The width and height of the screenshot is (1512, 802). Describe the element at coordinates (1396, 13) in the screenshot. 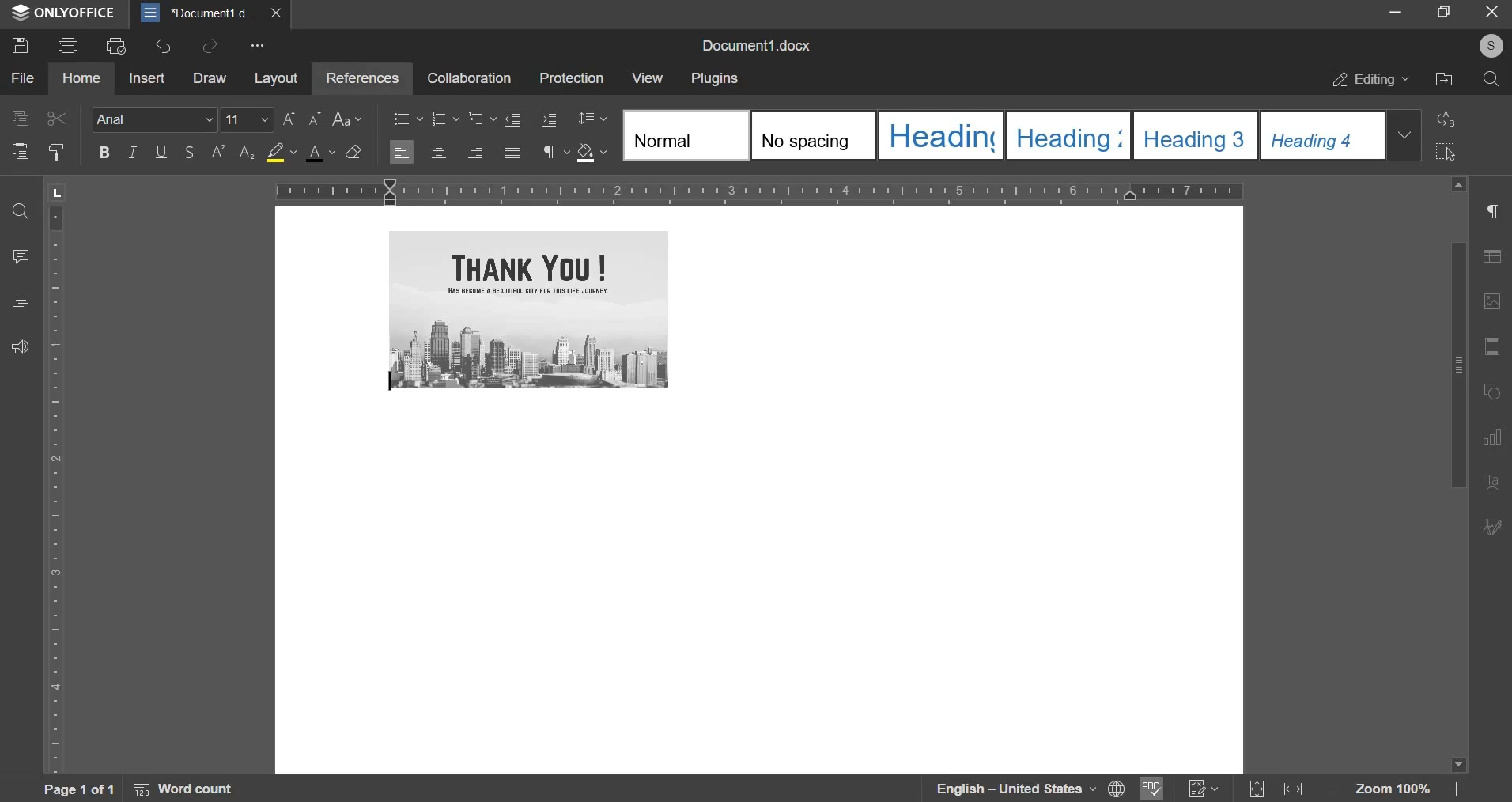

I see `minimize` at that location.